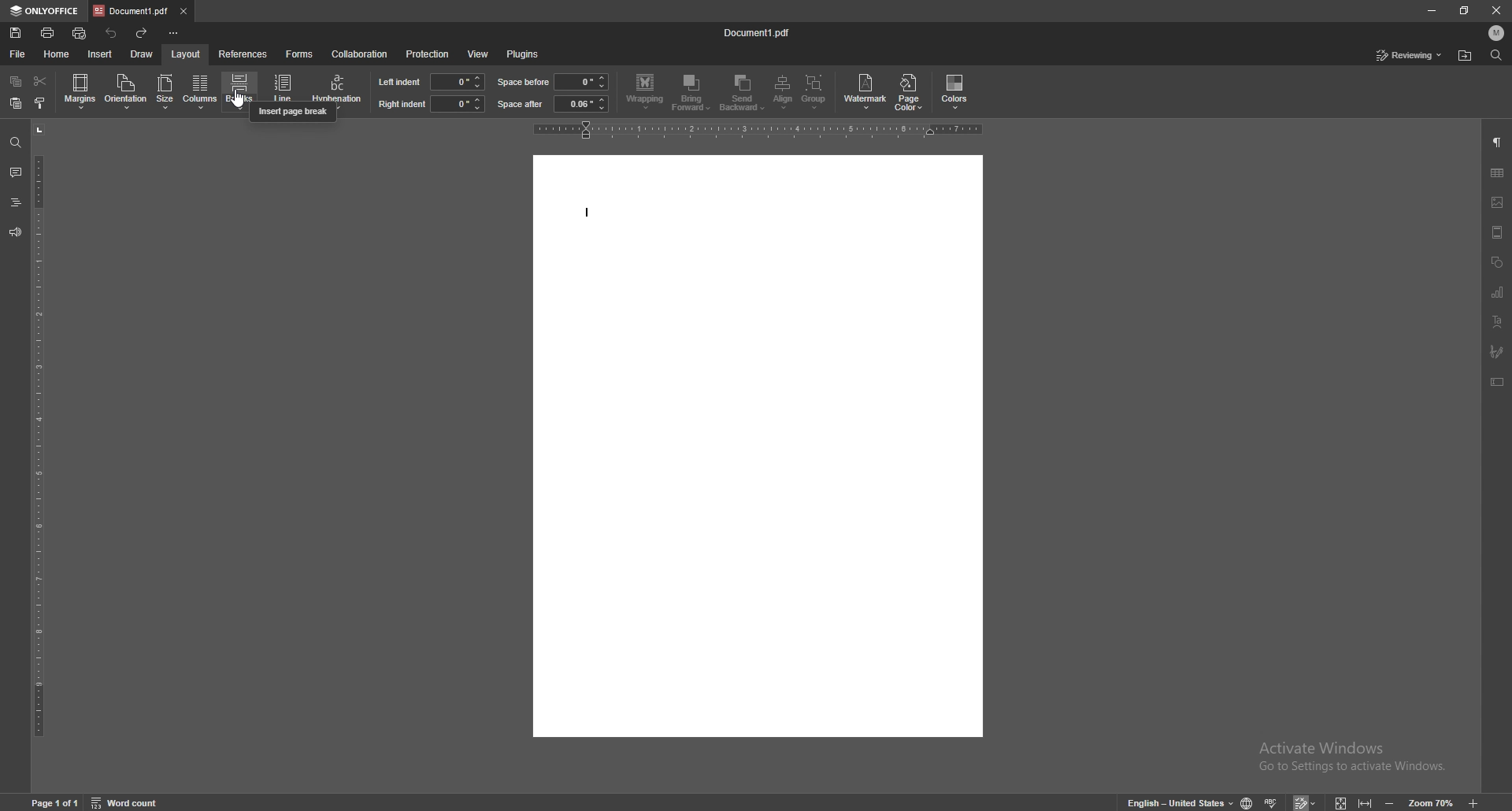 The image size is (1512, 811). I want to click on page 1 of 1, so click(50, 802).